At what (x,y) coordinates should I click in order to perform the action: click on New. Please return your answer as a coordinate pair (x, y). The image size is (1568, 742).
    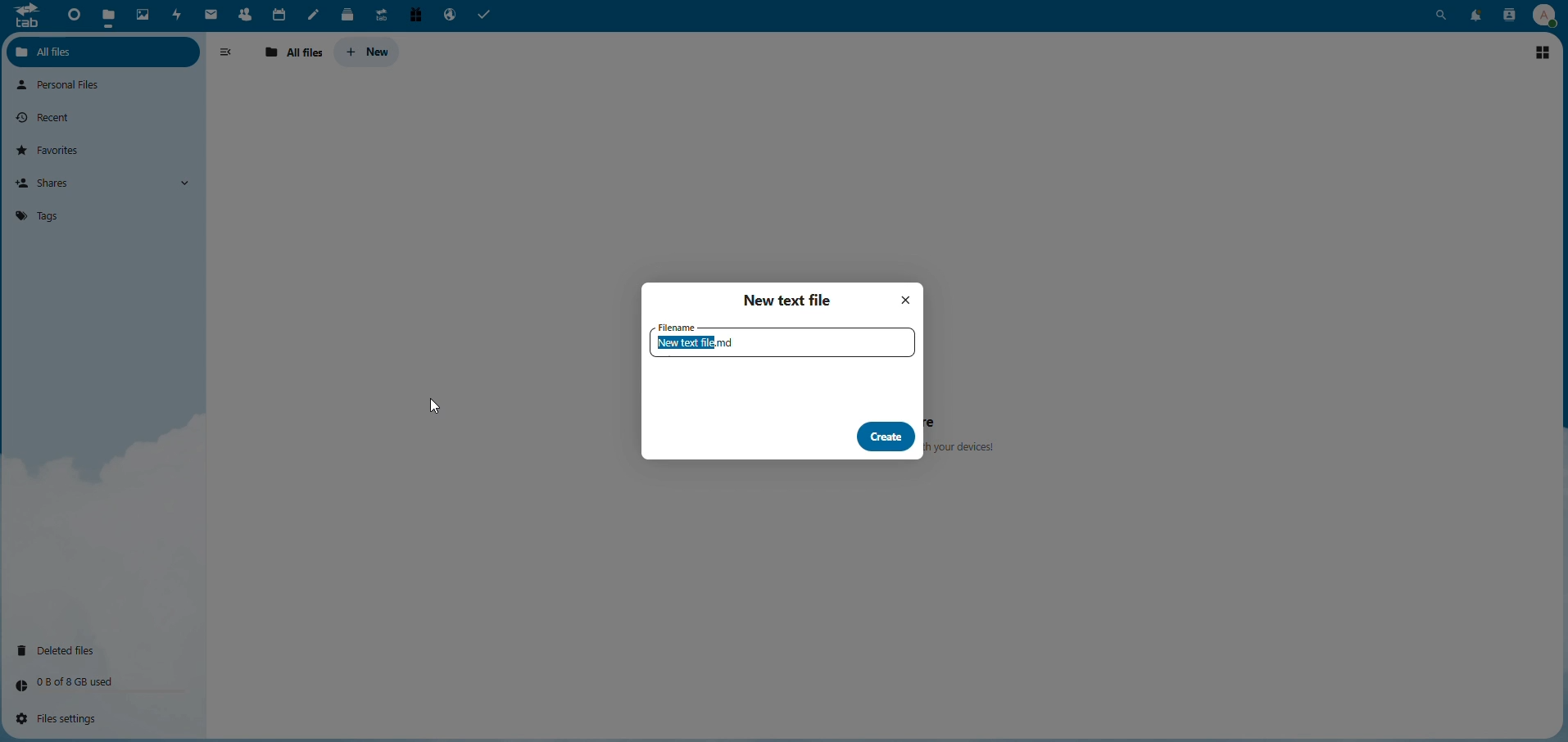
    Looking at the image, I should click on (369, 51).